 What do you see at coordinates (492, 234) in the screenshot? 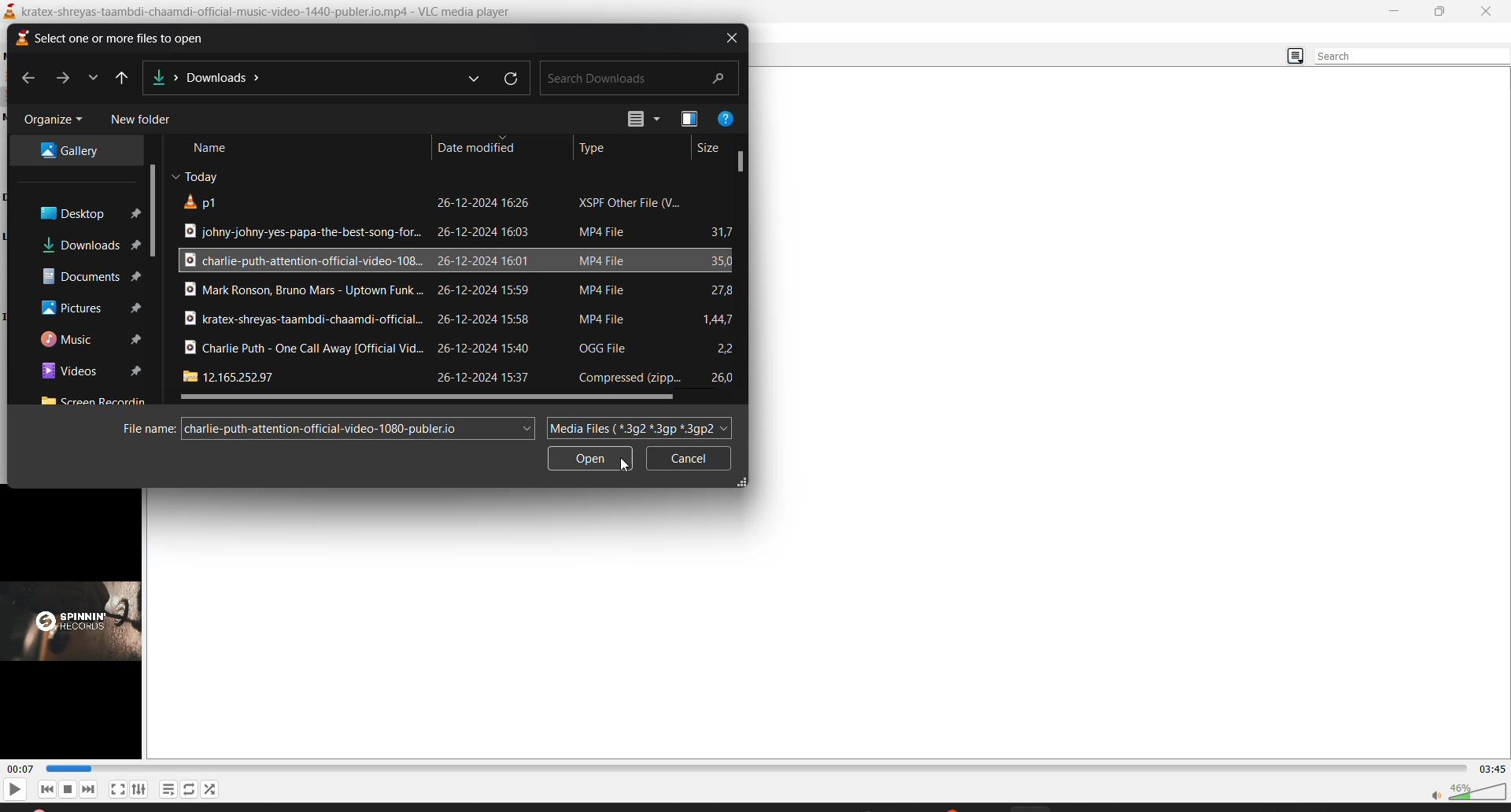
I see `date modified` at bounding box center [492, 234].